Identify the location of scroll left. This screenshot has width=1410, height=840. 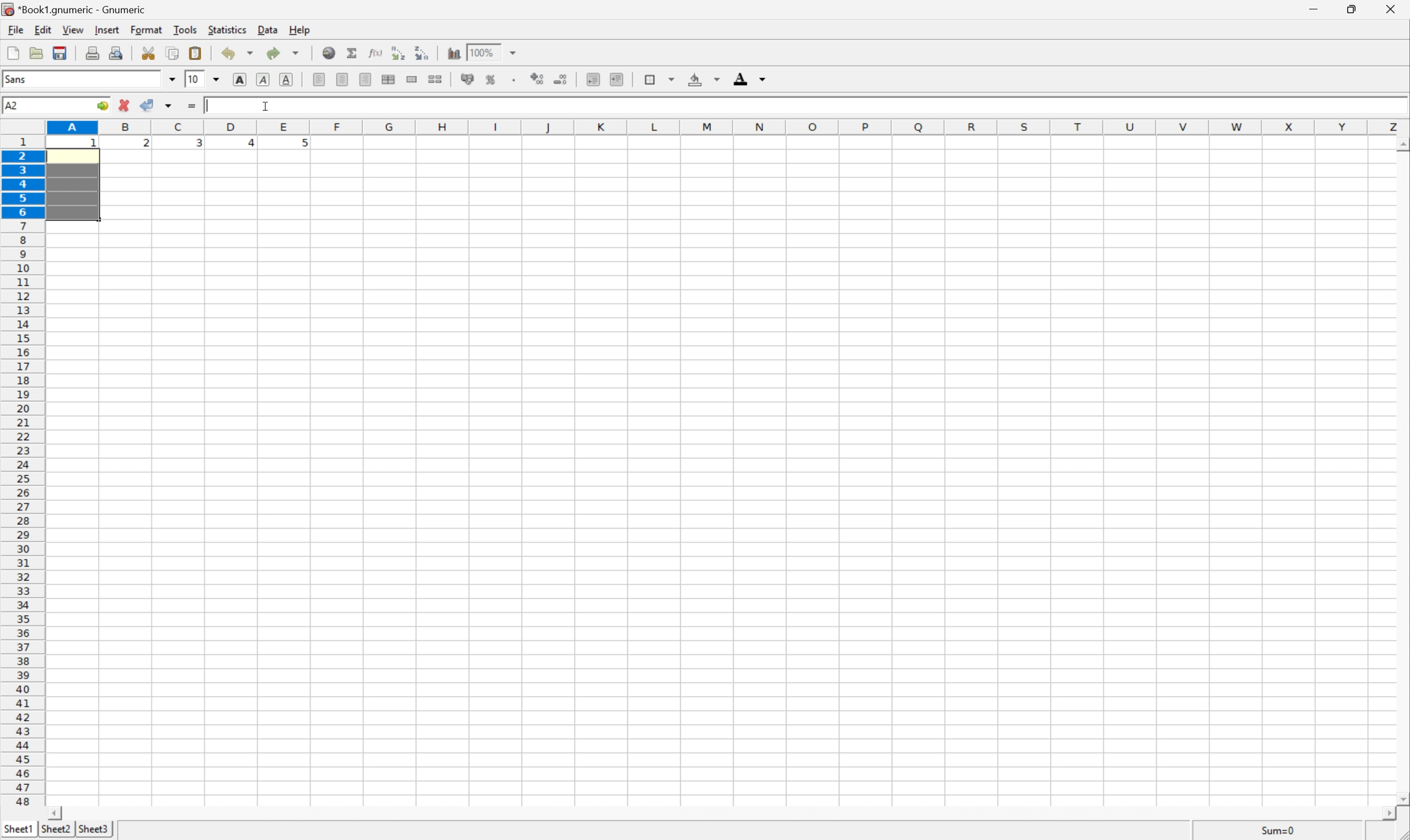
(58, 813).